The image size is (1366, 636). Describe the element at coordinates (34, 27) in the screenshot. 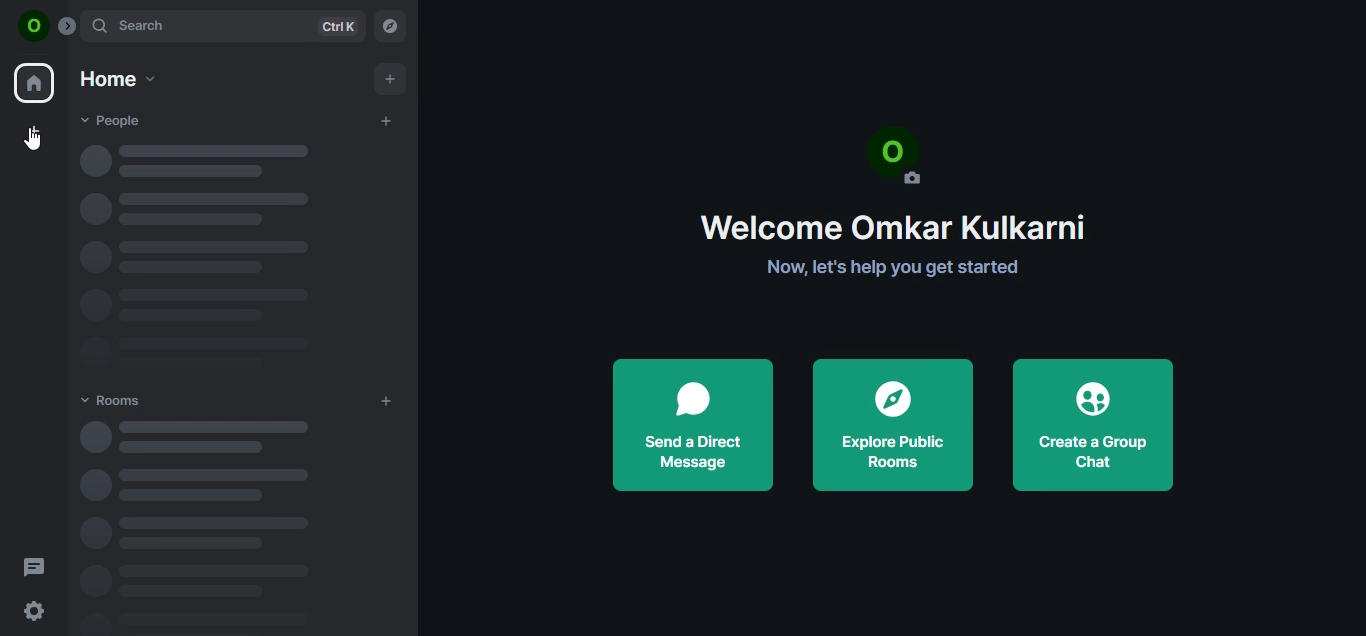

I see `icon` at that location.